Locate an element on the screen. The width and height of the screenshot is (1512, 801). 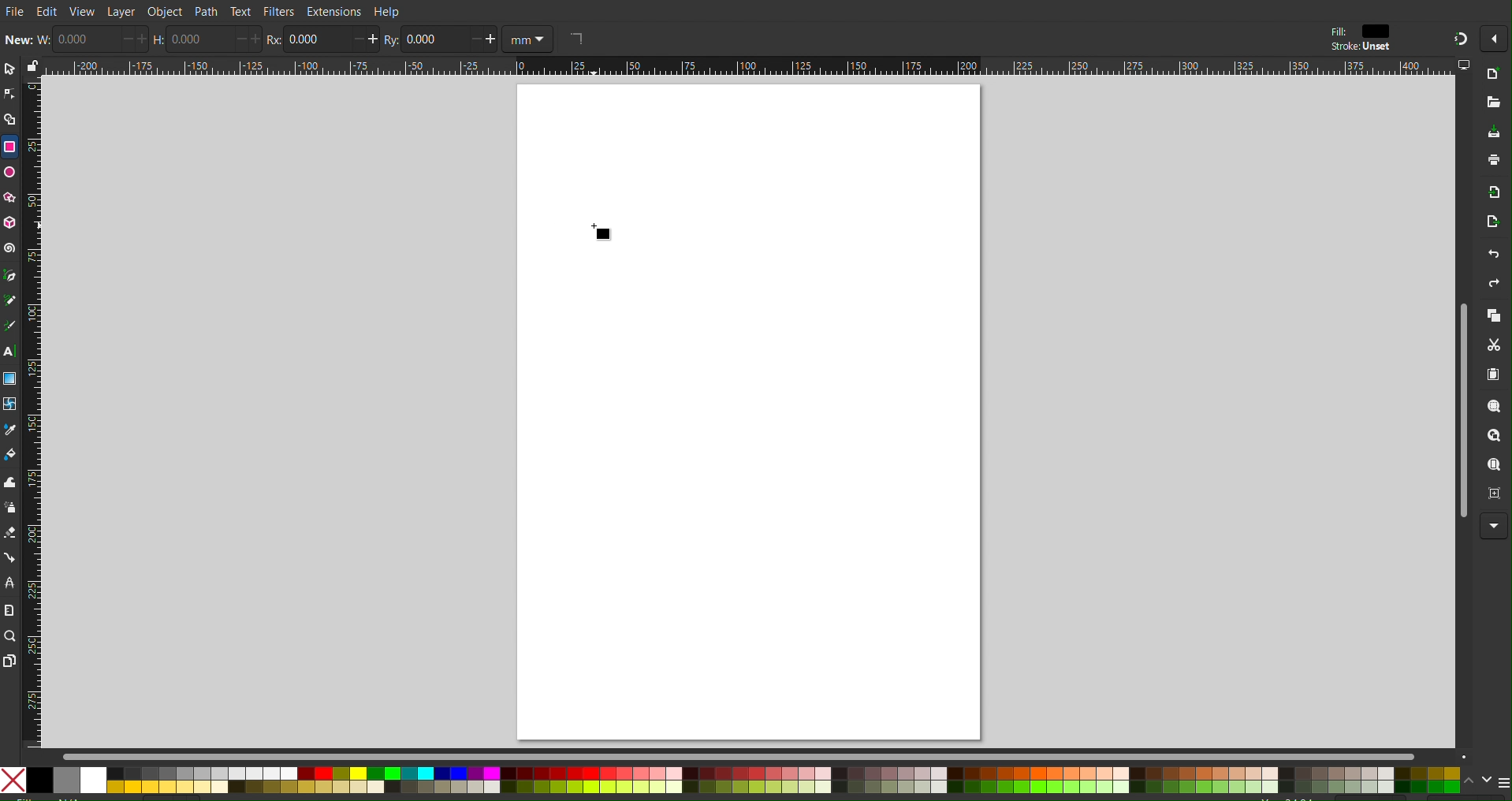
0.000 is located at coordinates (88, 39).